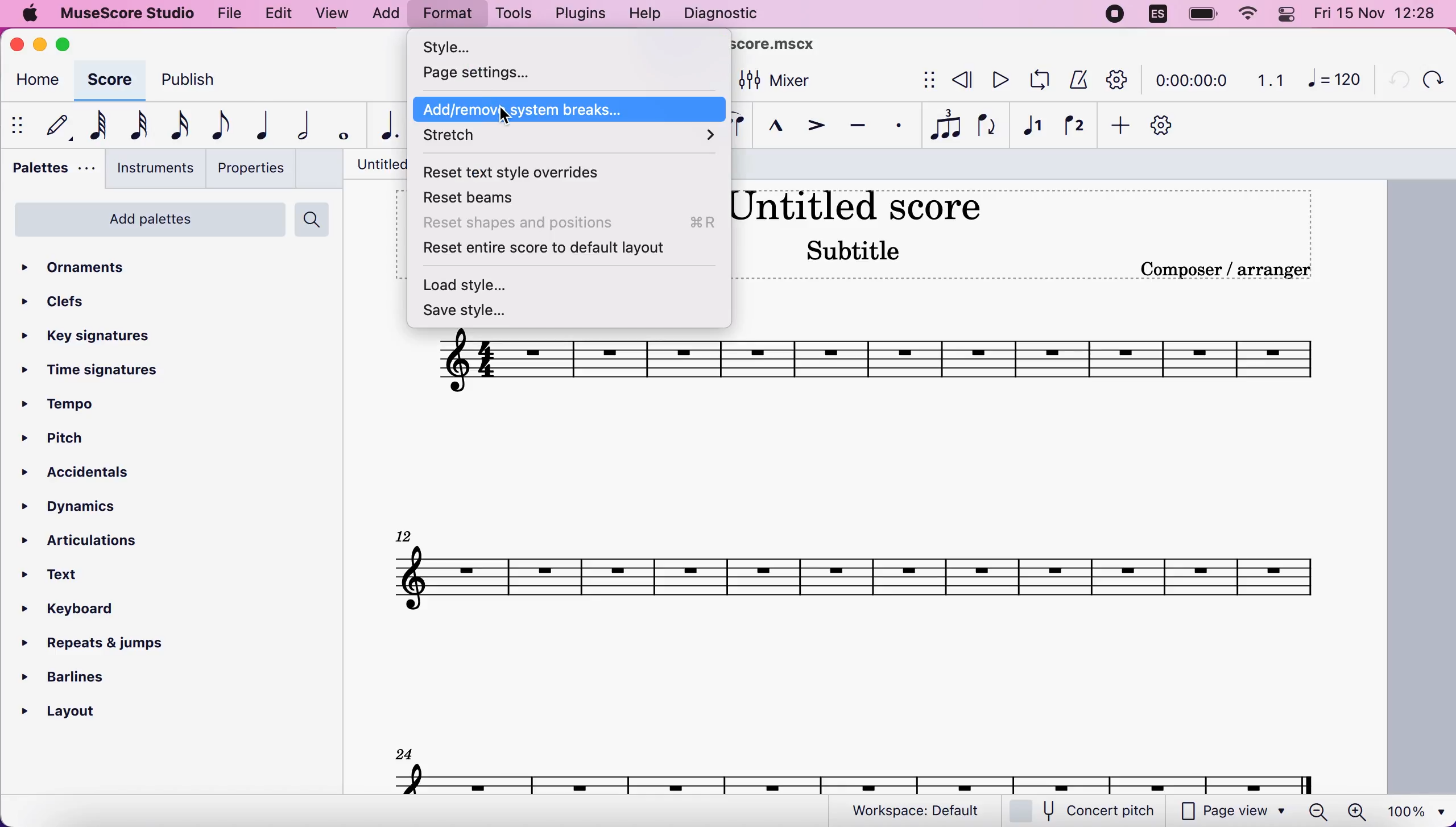  I want to click on details, so click(1225, 270).